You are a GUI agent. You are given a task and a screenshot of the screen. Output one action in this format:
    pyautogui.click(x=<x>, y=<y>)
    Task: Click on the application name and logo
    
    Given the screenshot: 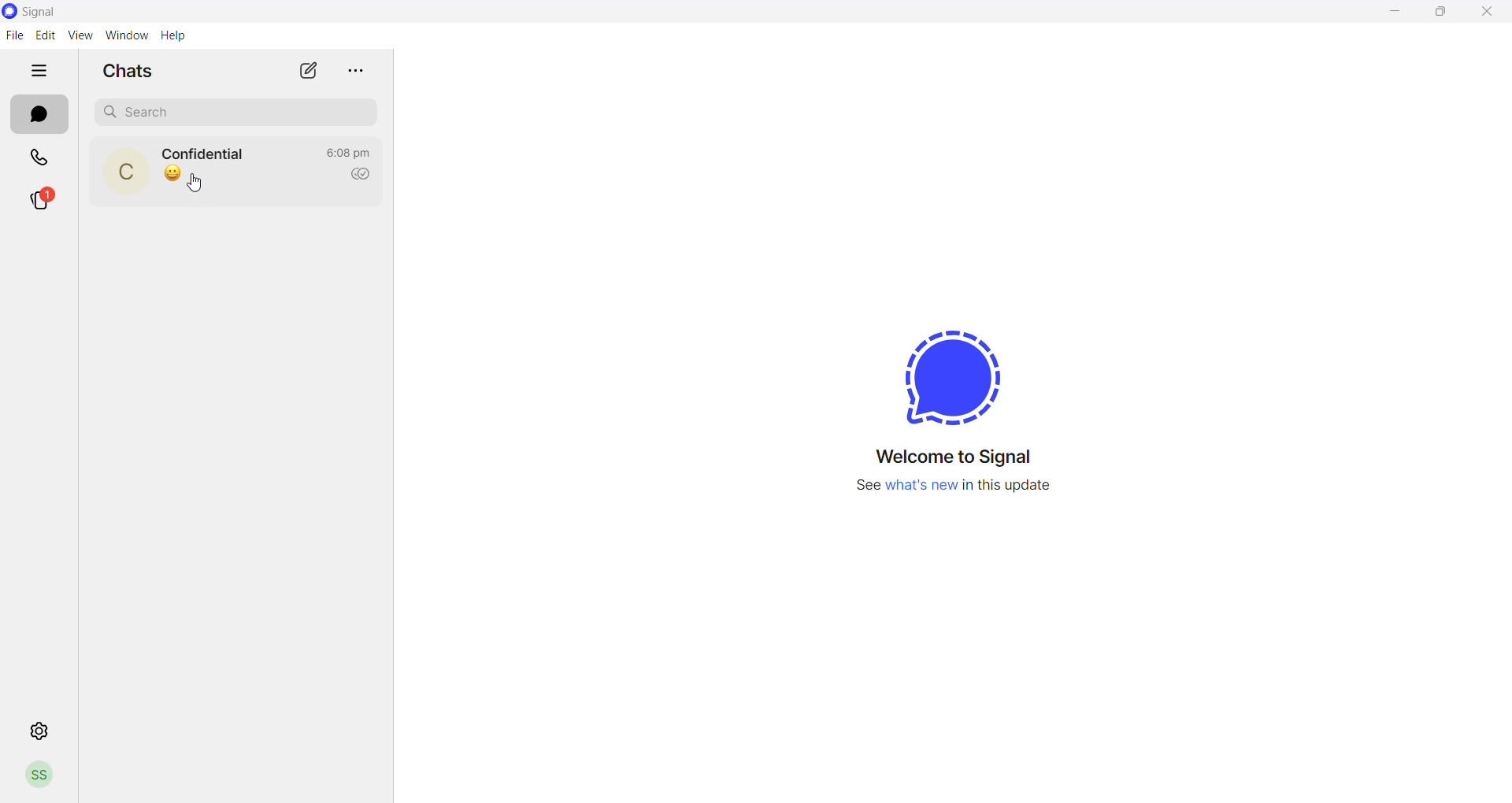 What is the action you would take?
    pyautogui.click(x=46, y=12)
    